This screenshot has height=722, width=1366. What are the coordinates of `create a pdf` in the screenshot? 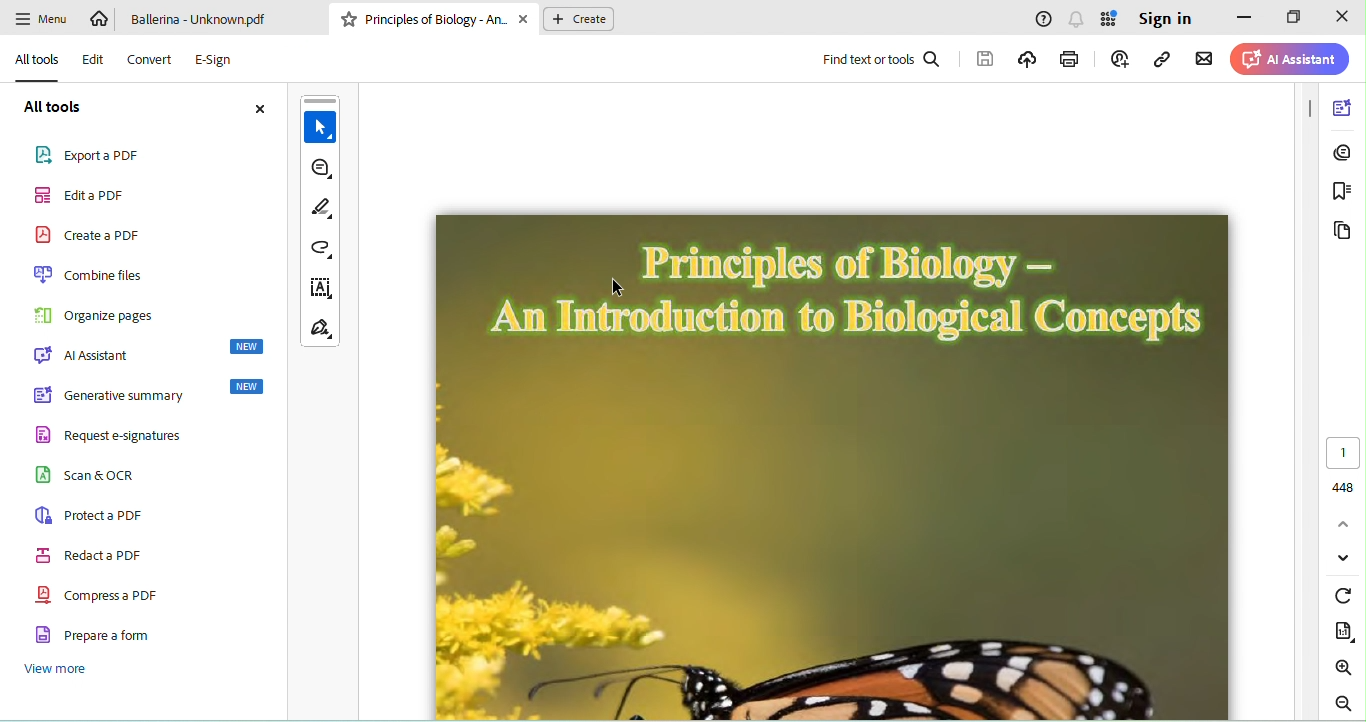 It's located at (86, 233).